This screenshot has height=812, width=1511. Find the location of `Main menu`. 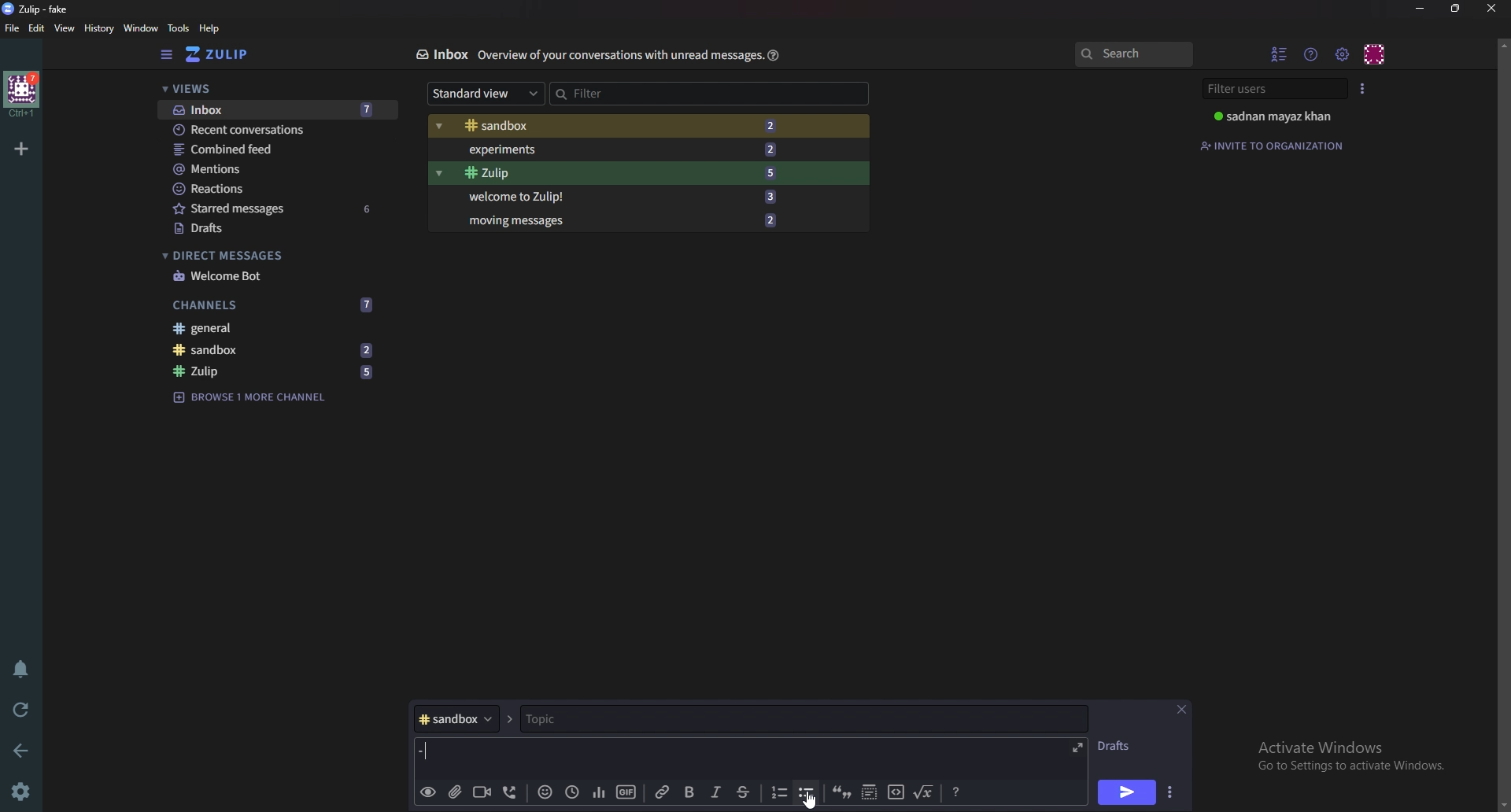

Main menu is located at coordinates (1342, 55).